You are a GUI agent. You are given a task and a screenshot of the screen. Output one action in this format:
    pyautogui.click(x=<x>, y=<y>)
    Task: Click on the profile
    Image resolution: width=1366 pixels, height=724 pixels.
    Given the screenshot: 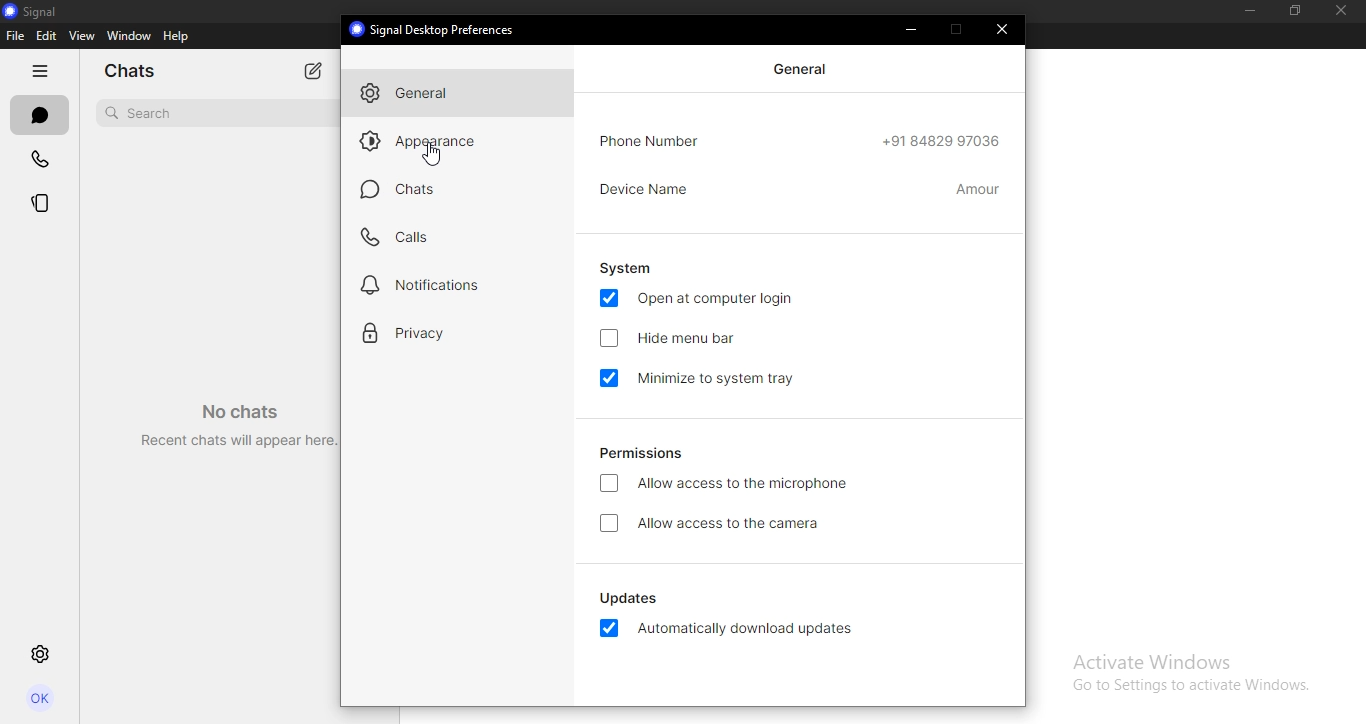 What is the action you would take?
    pyautogui.click(x=42, y=701)
    